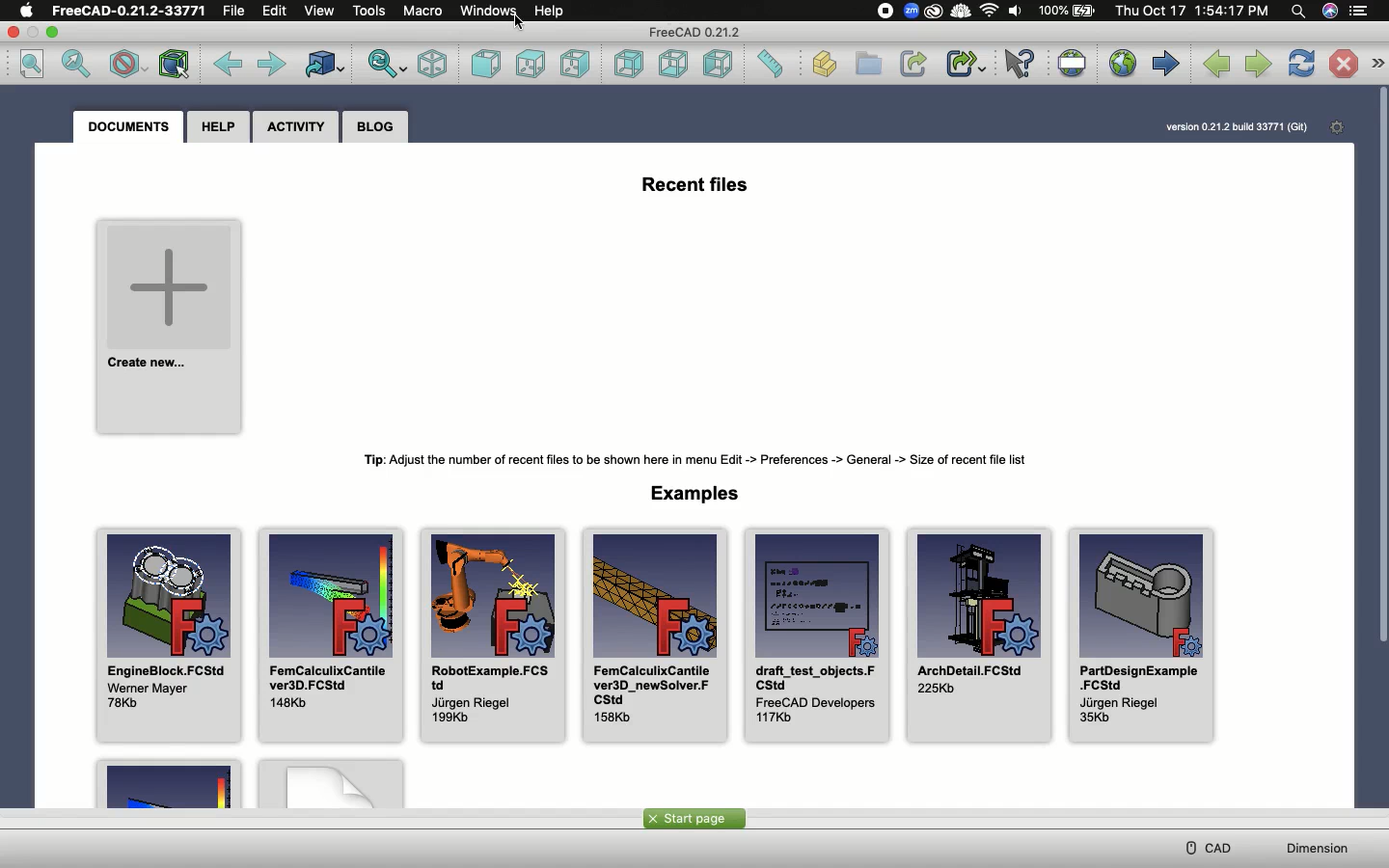  Describe the element at coordinates (1067, 10) in the screenshot. I see `Charge` at that location.